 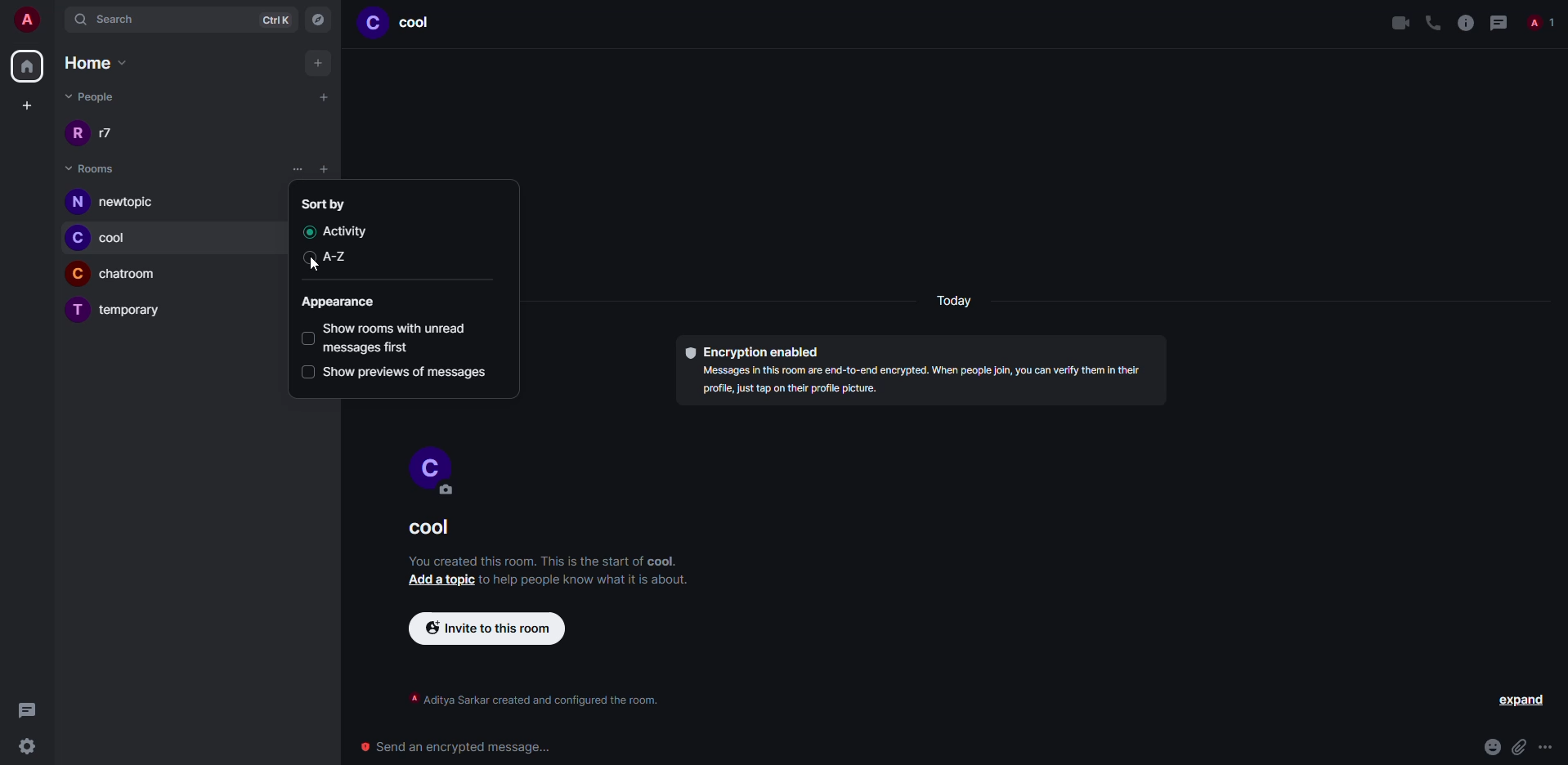 What do you see at coordinates (1490, 747) in the screenshot?
I see `emoji` at bounding box center [1490, 747].